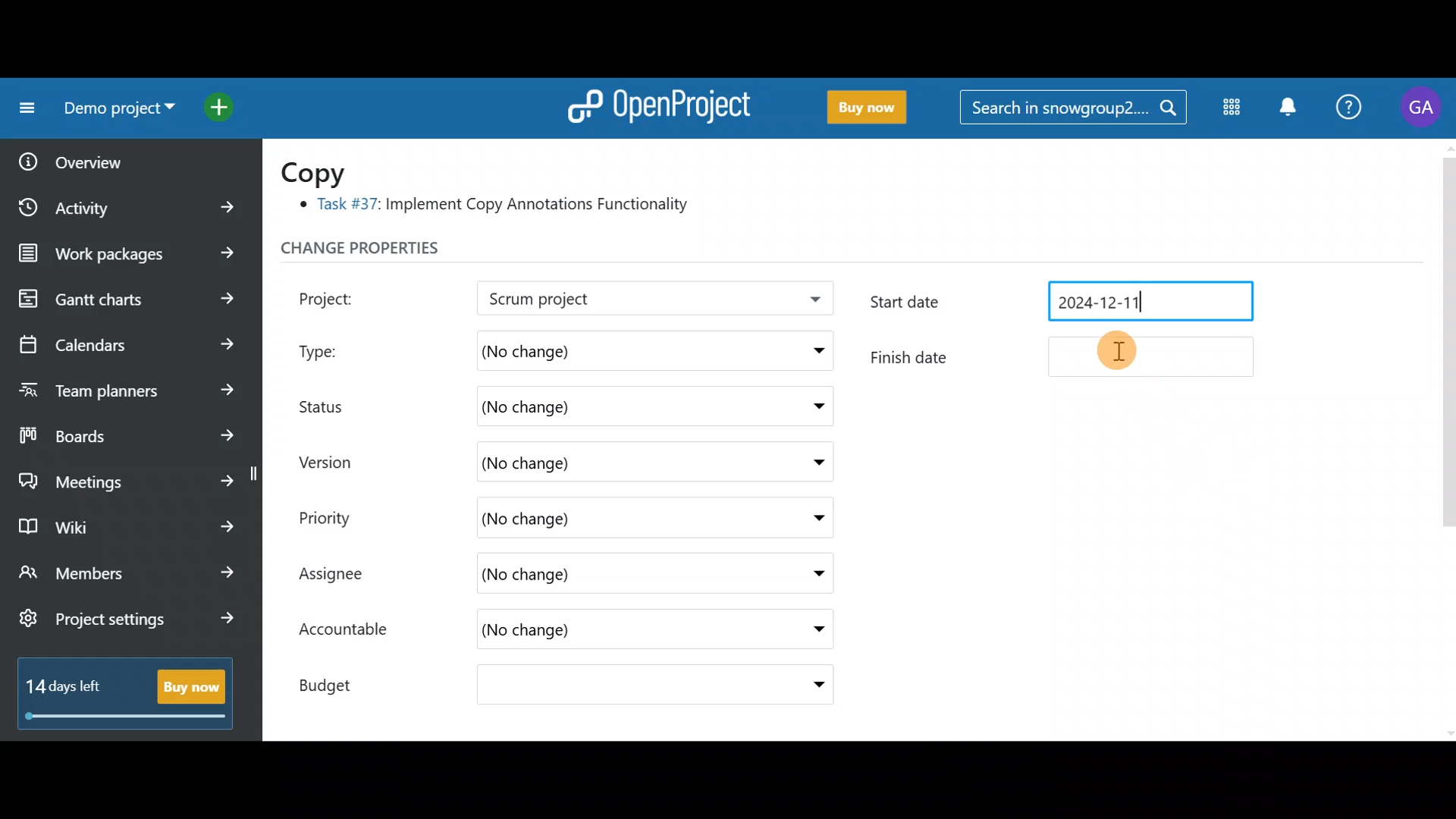  What do you see at coordinates (1421, 108) in the screenshot?
I see `Account name` at bounding box center [1421, 108].